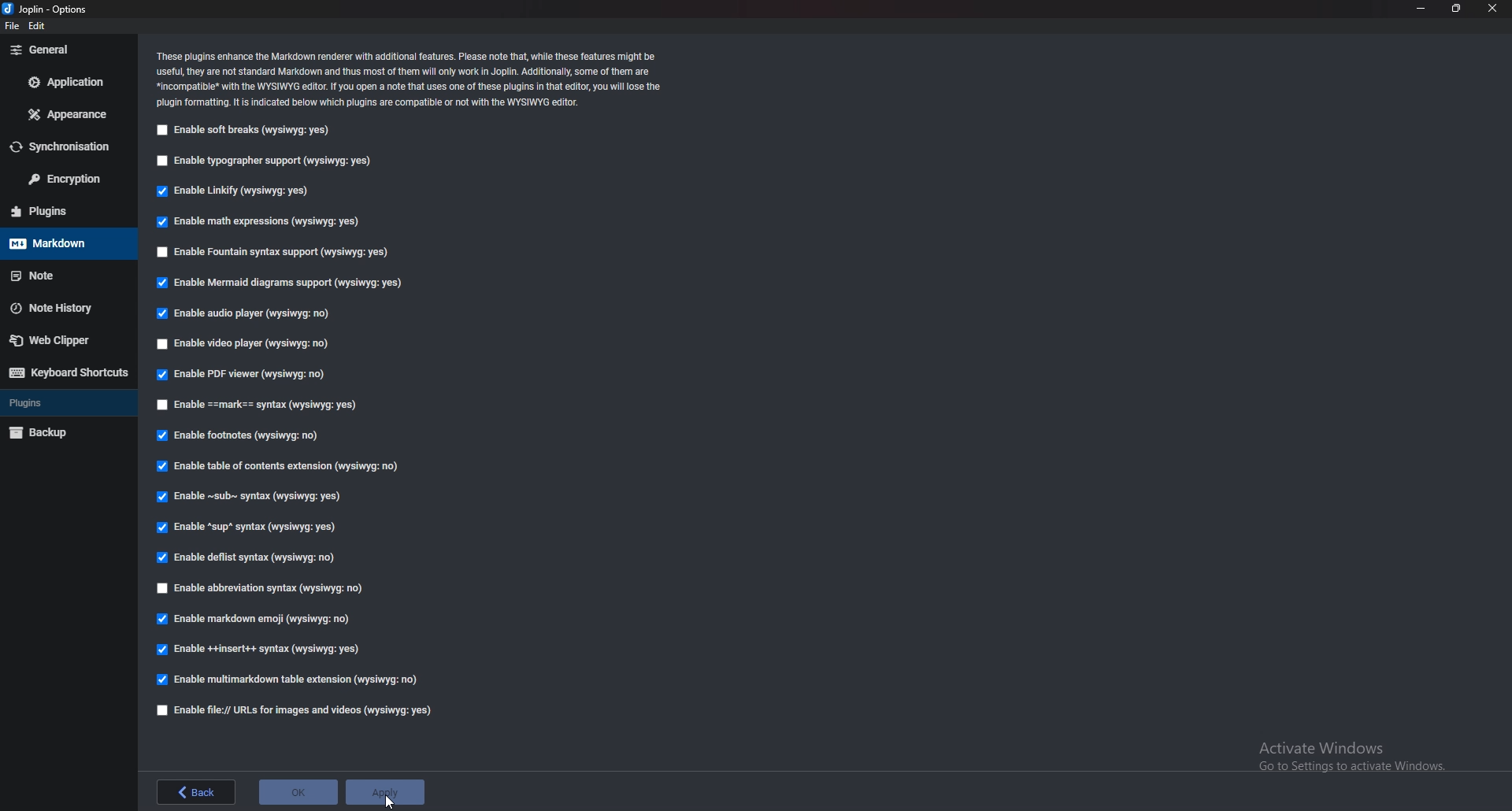 The height and width of the screenshot is (811, 1512). I want to click on Minimize, so click(1423, 9).